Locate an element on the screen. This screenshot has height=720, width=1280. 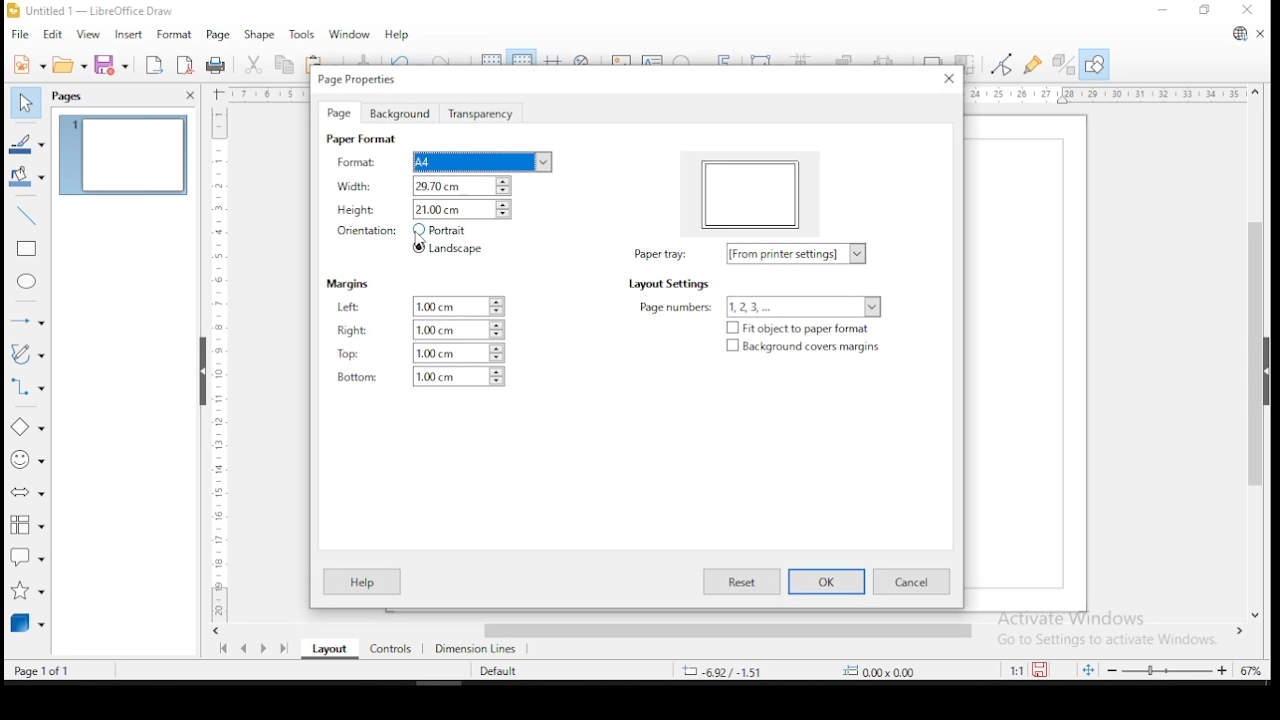
new is located at coordinates (25, 63).